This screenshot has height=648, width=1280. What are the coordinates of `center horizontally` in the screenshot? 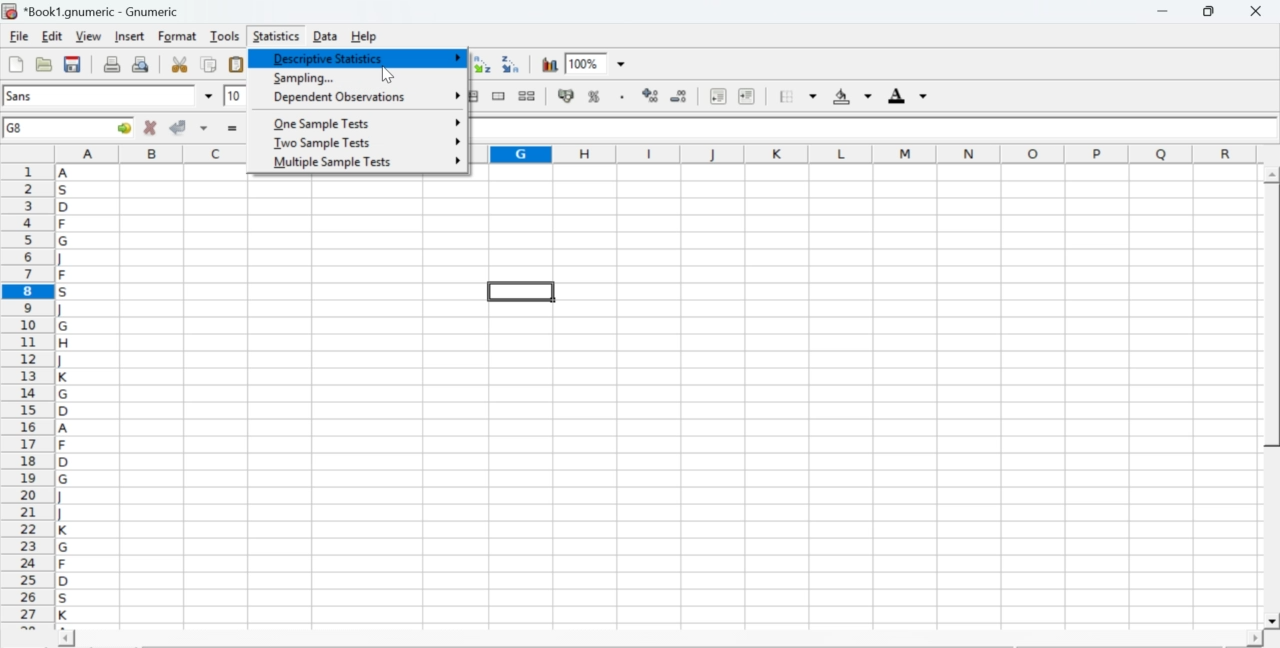 It's located at (470, 96).